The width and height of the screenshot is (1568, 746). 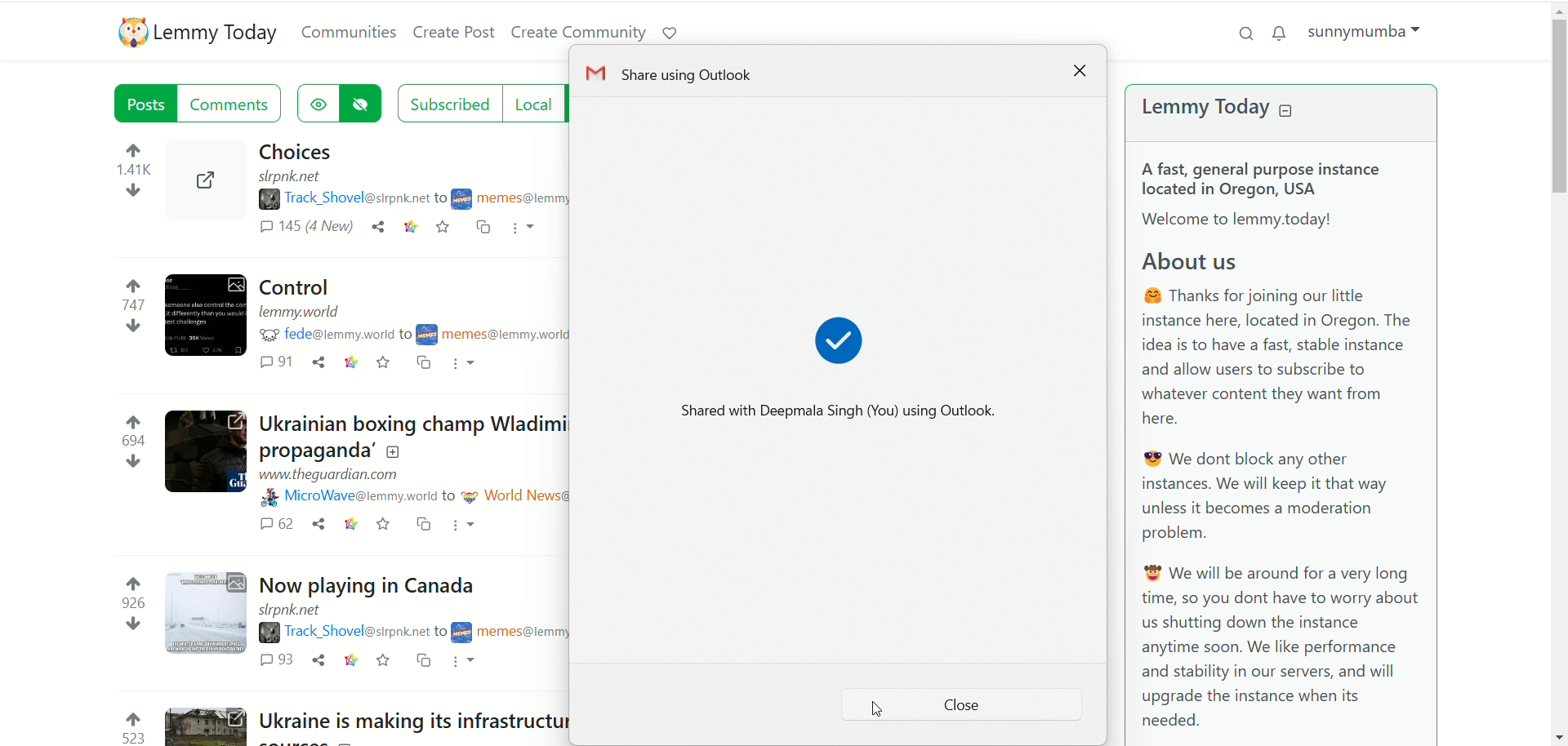 I want to click on vertical scroll bar, so click(x=1555, y=371).